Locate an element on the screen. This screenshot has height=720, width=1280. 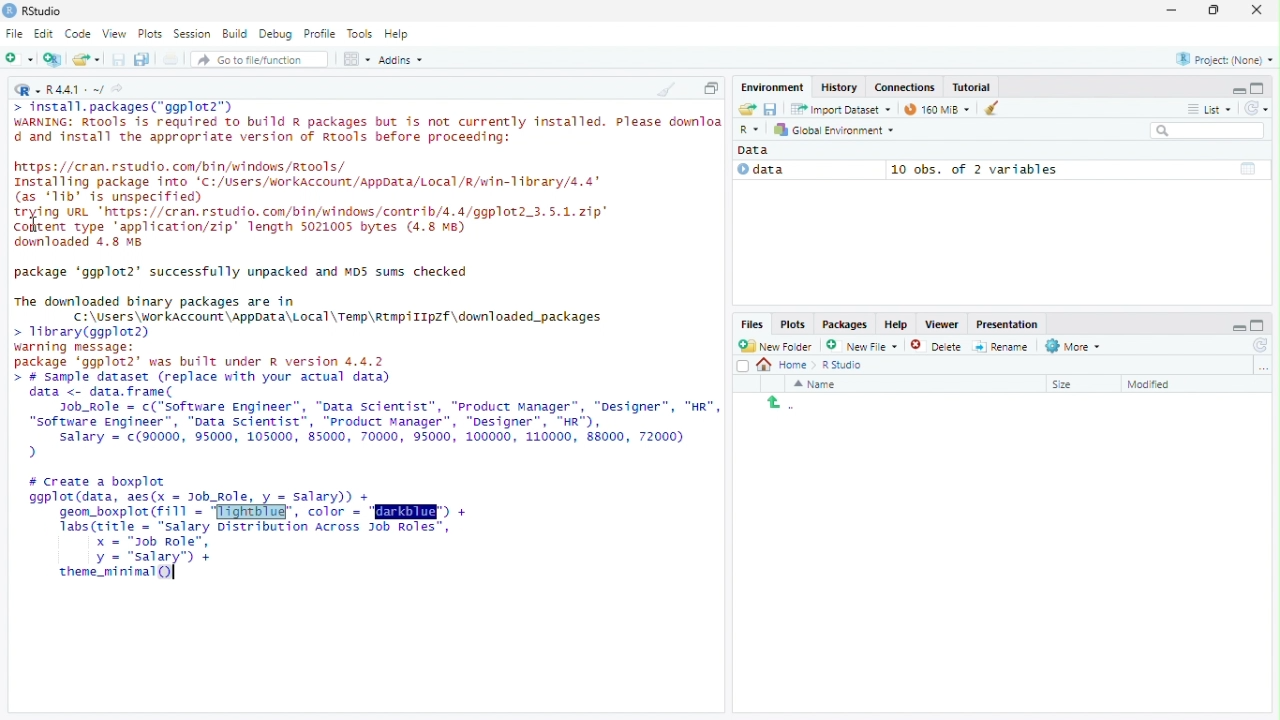
New Folder is located at coordinates (778, 346).